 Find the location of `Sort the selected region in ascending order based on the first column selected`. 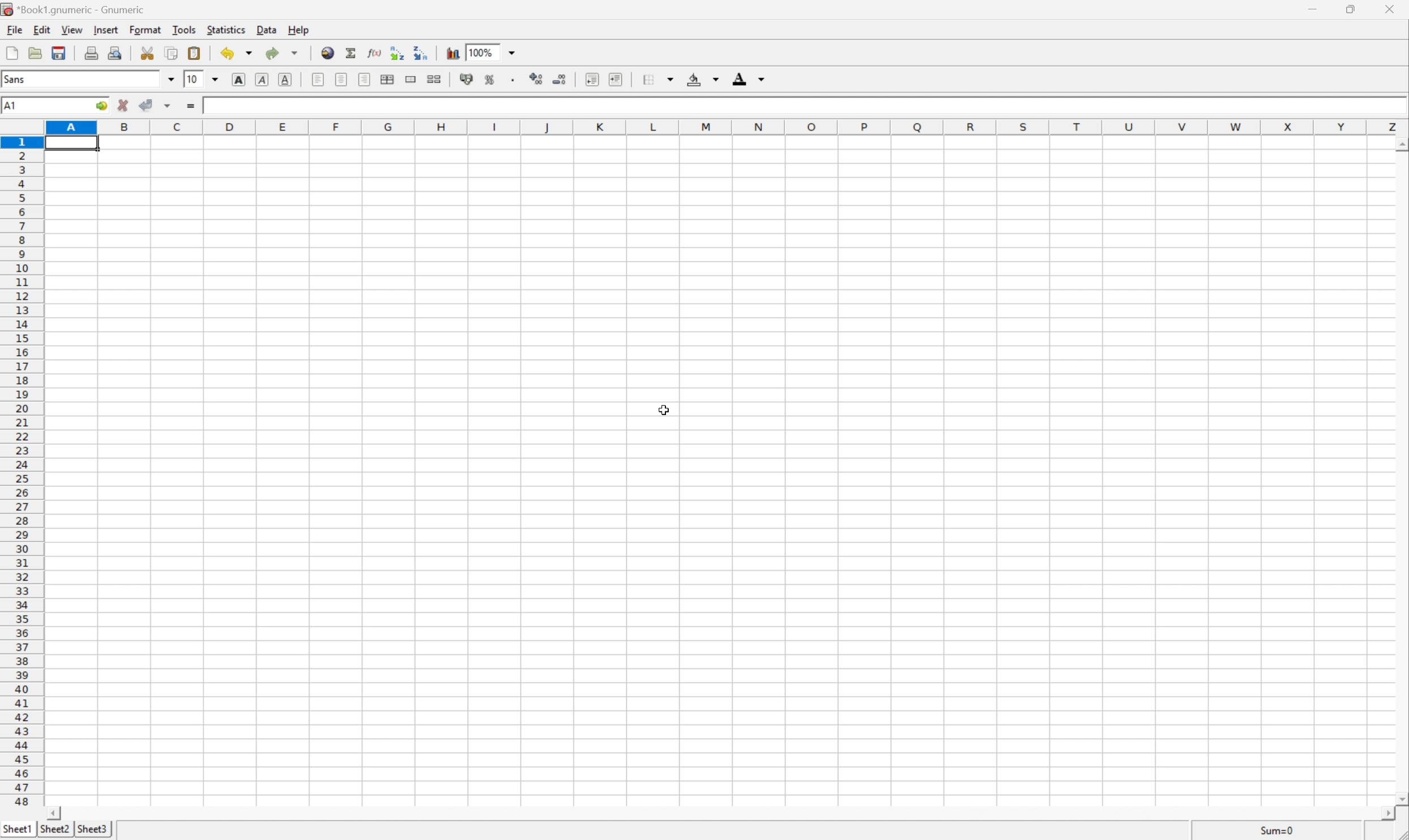

Sort the selected region in ascending order based on the first column selected is located at coordinates (395, 51).